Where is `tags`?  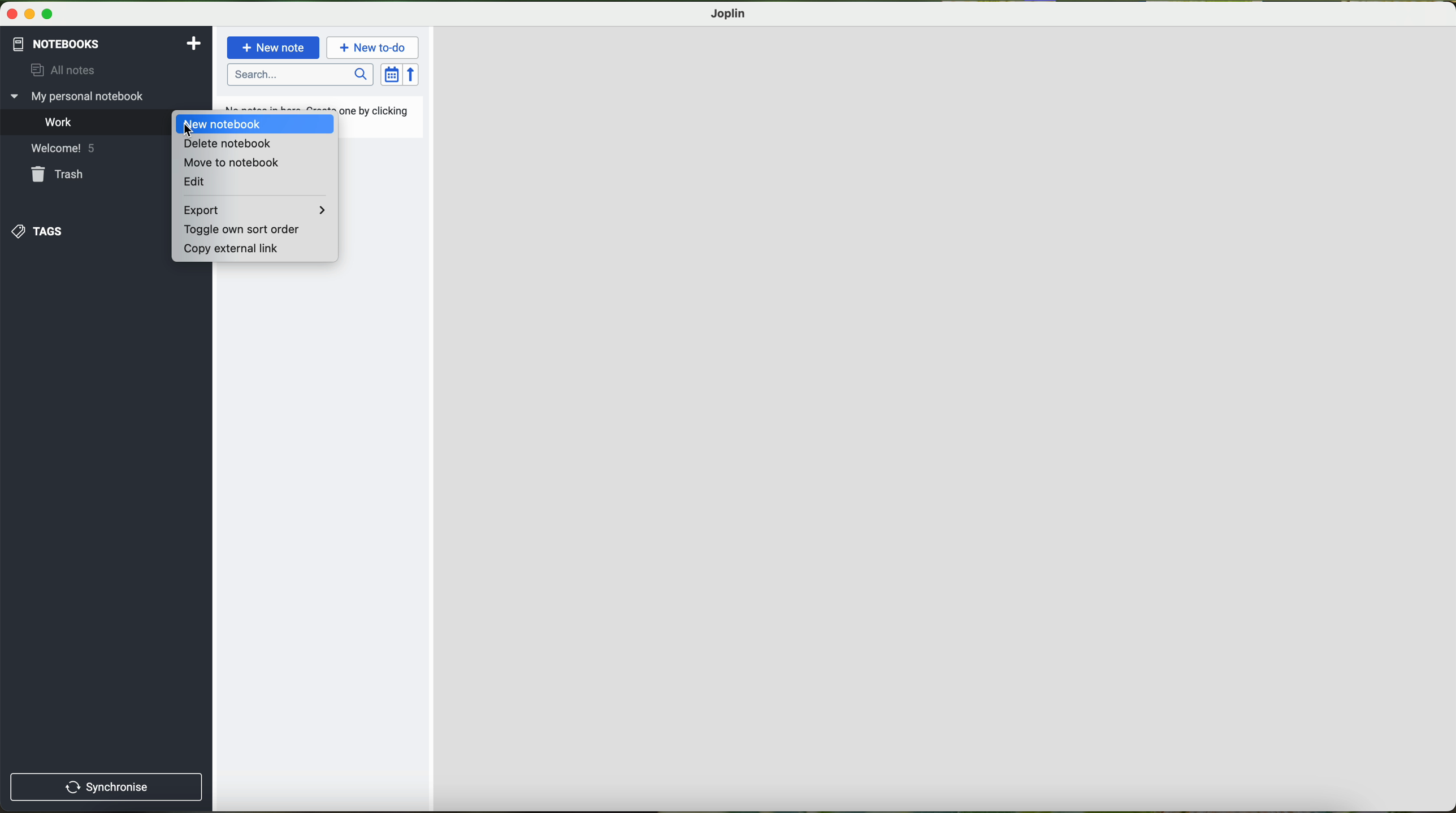
tags is located at coordinates (40, 231).